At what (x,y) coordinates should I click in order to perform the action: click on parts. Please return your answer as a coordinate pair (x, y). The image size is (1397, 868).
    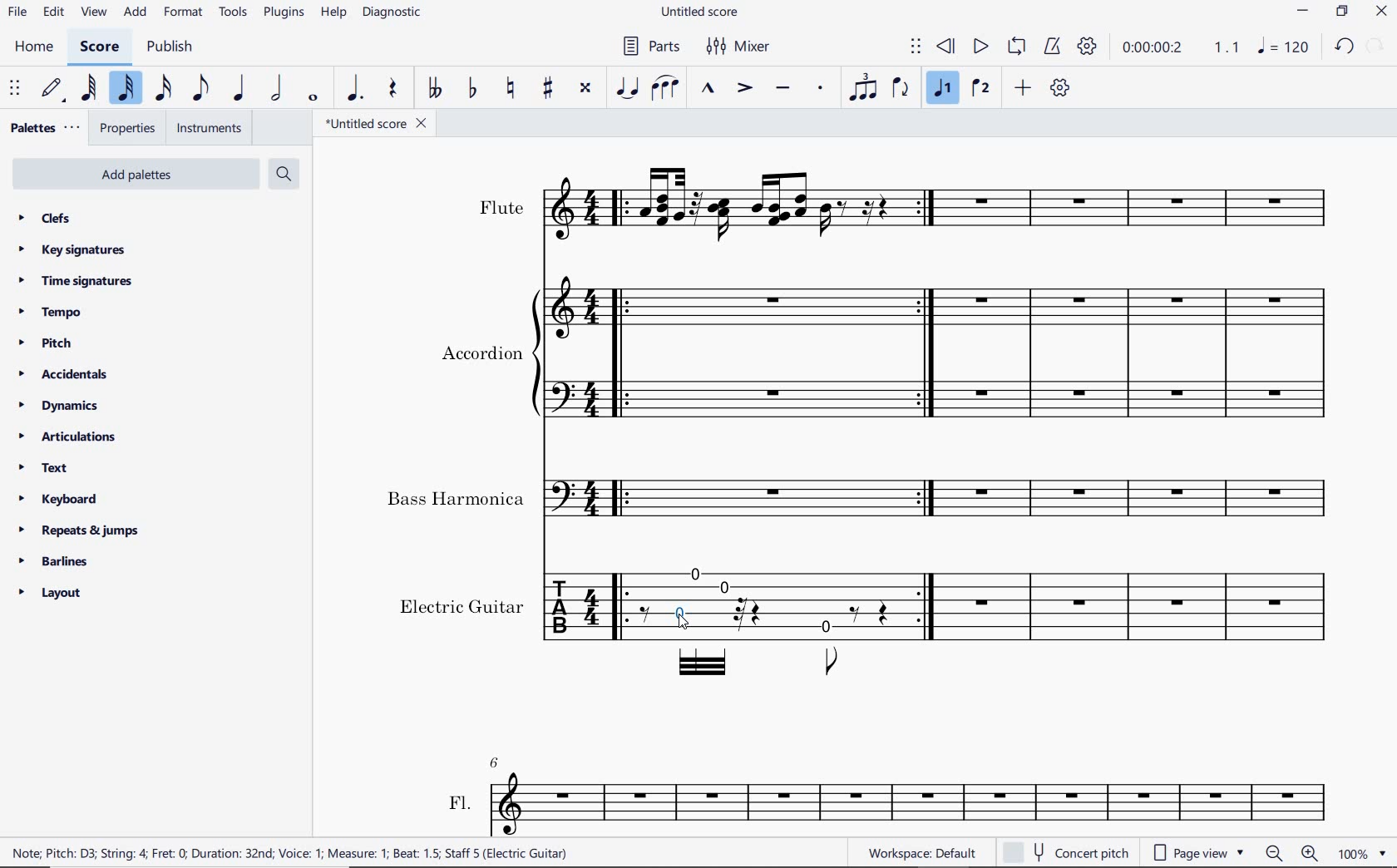
    Looking at the image, I should click on (652, 47).